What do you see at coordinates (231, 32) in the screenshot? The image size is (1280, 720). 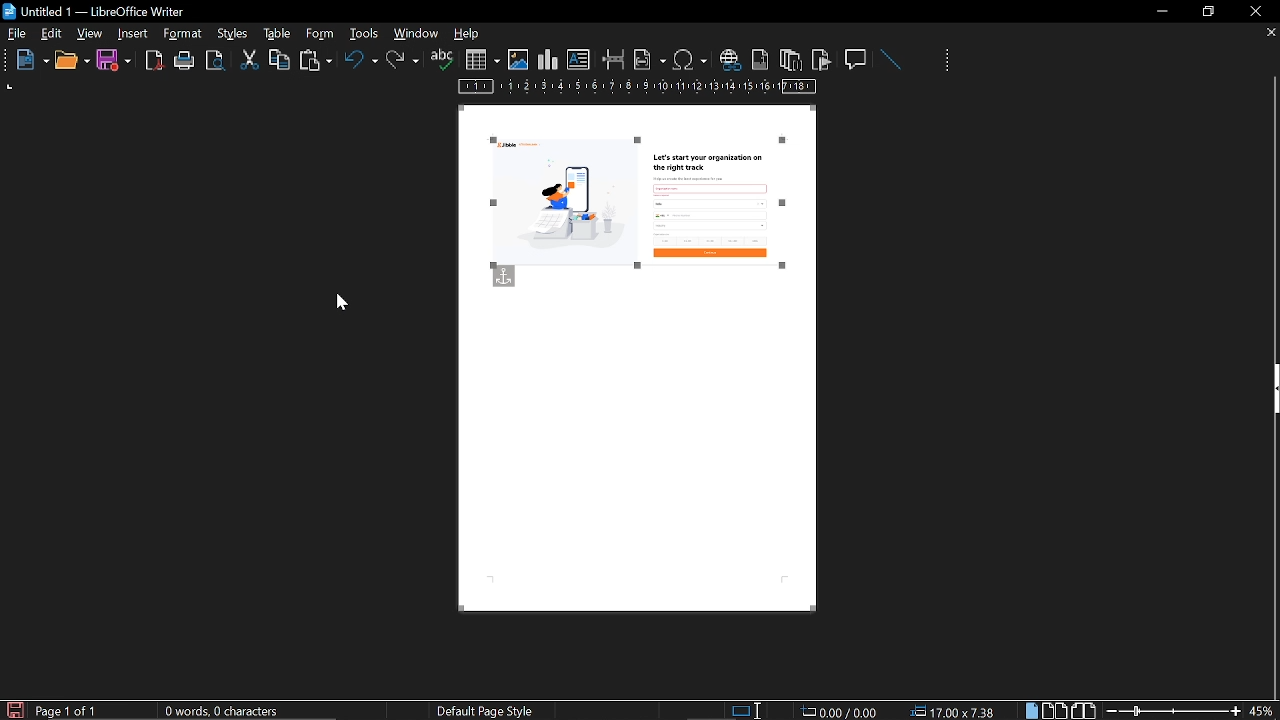 I see `format` at bounding box center [231, 32].